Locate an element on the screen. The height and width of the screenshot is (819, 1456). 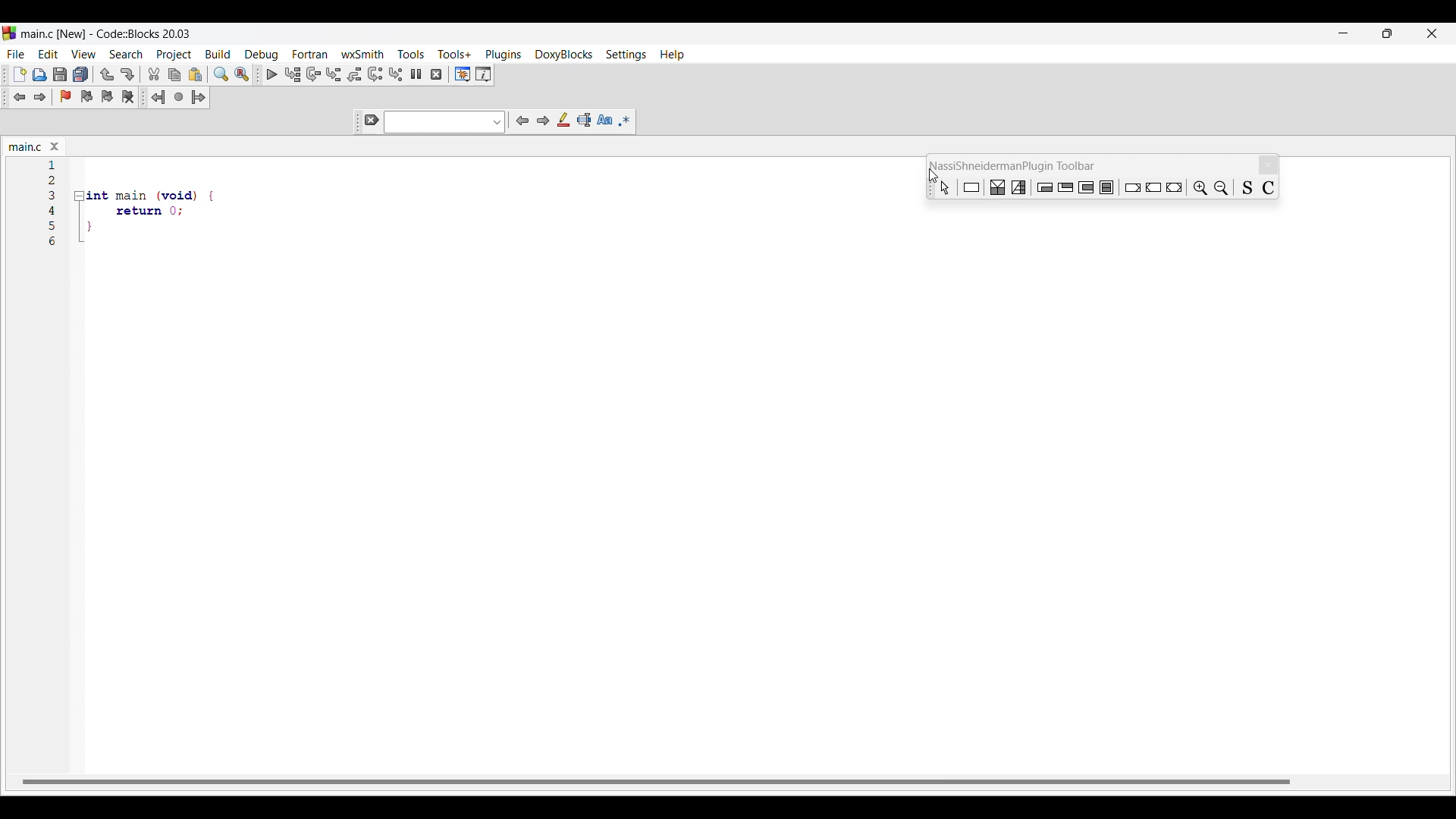
 is located at coordinates (54, 195).